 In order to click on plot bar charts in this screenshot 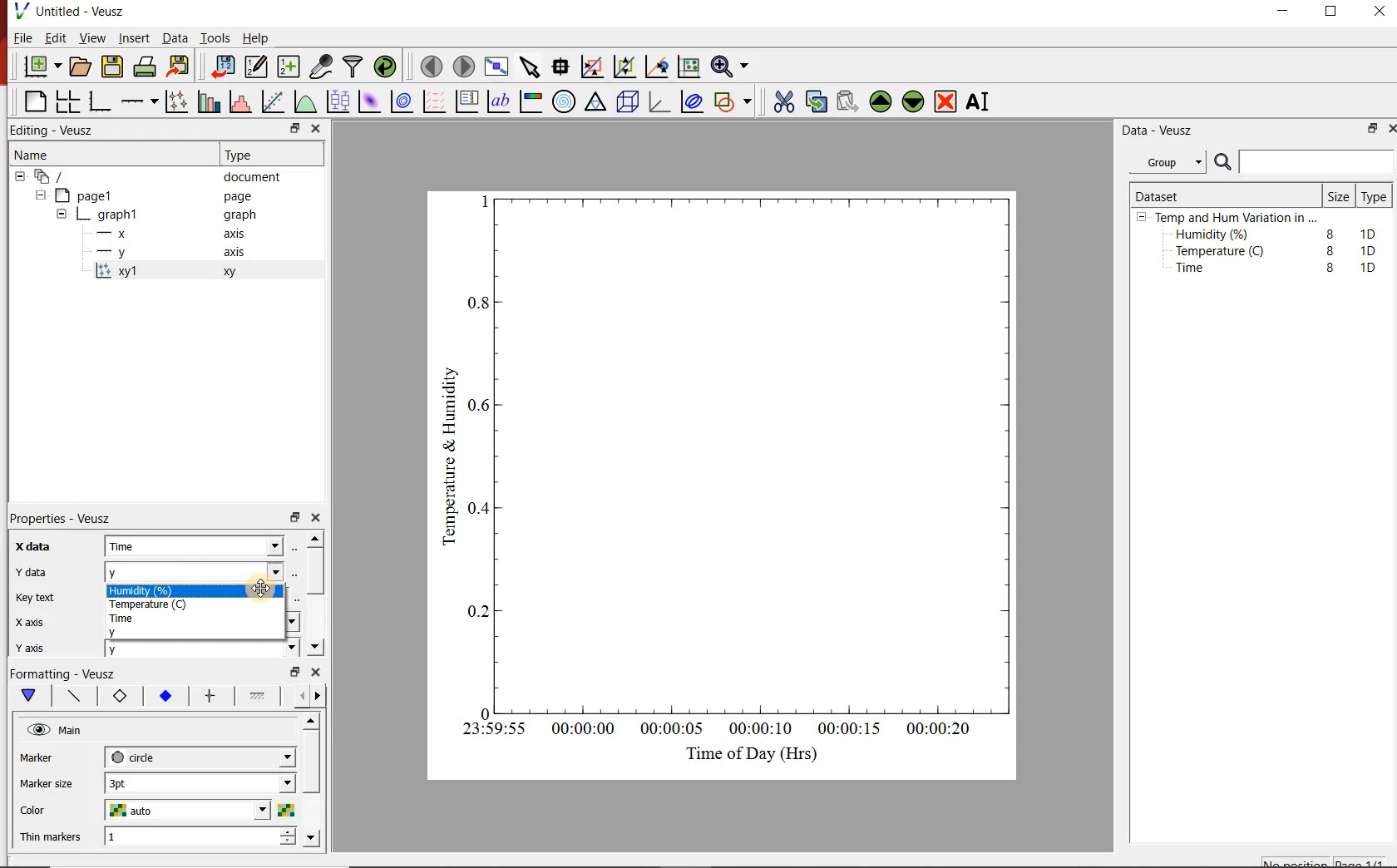, I will do `click(210, 99)`.